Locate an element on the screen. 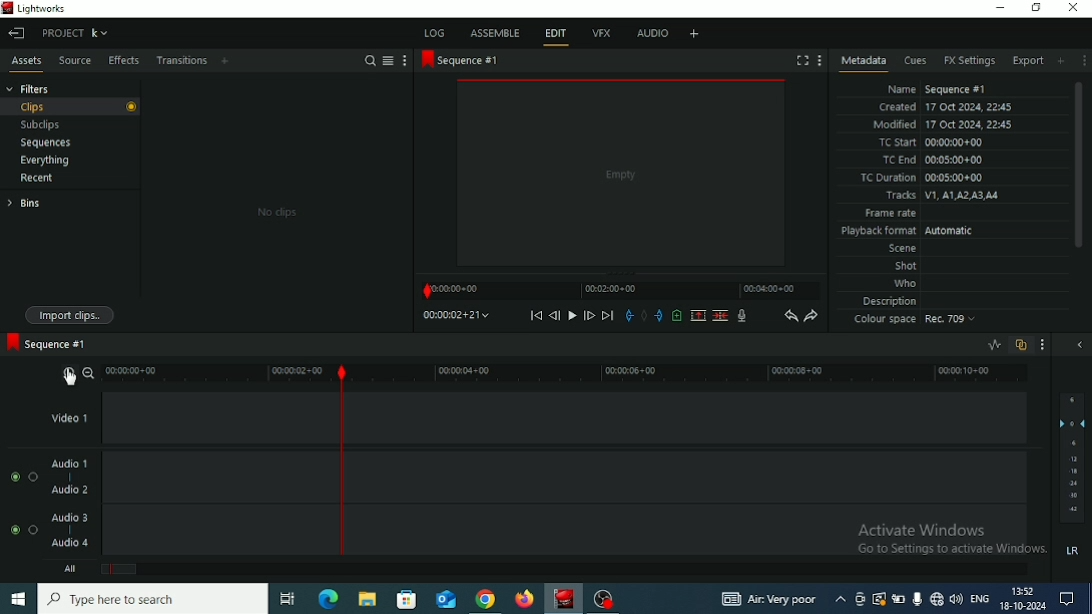  Close is located at coordinates (1074, 8).